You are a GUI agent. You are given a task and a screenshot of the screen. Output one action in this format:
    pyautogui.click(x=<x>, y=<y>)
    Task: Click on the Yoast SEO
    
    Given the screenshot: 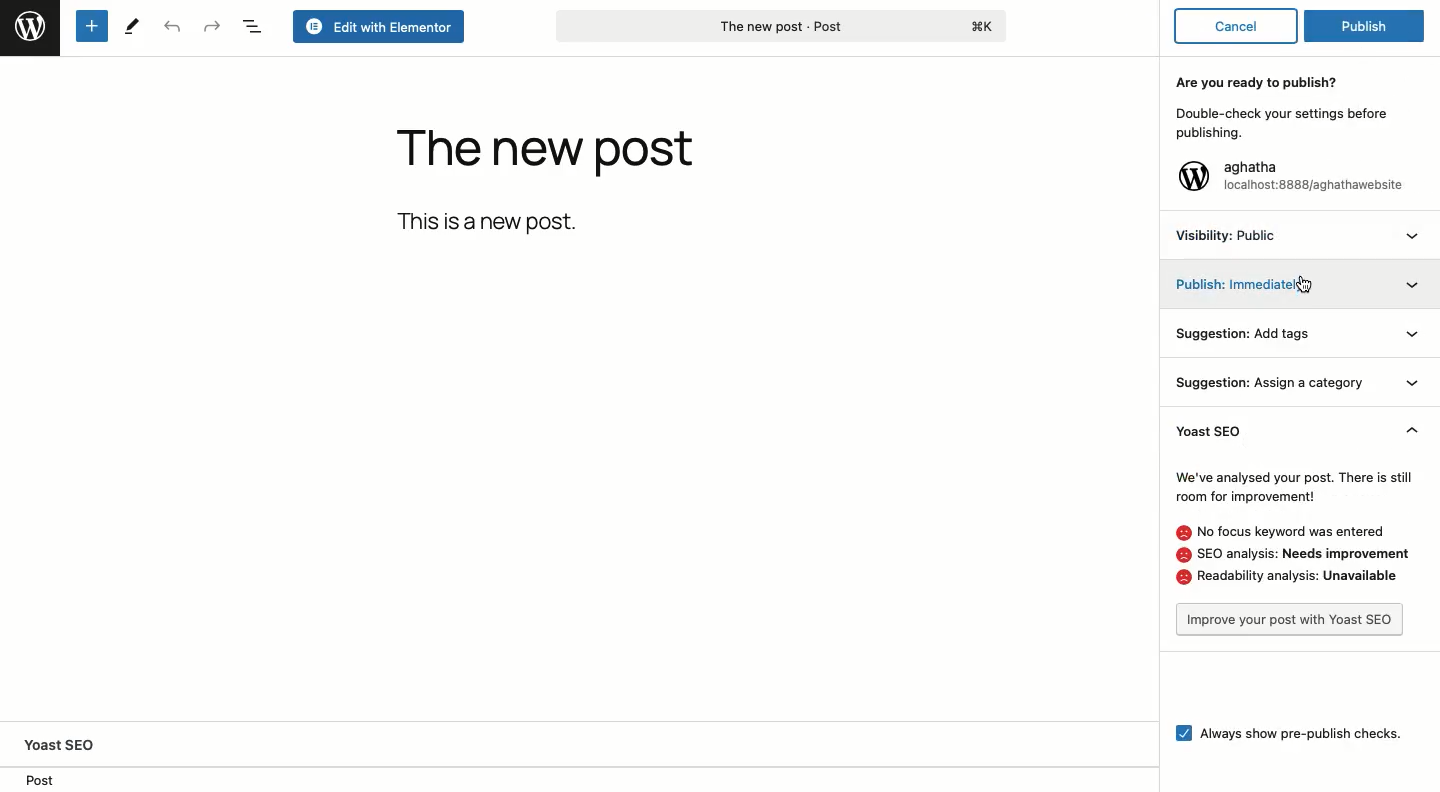 What is the action you would take?
    pyautogui.click(x=86, y=744)
    